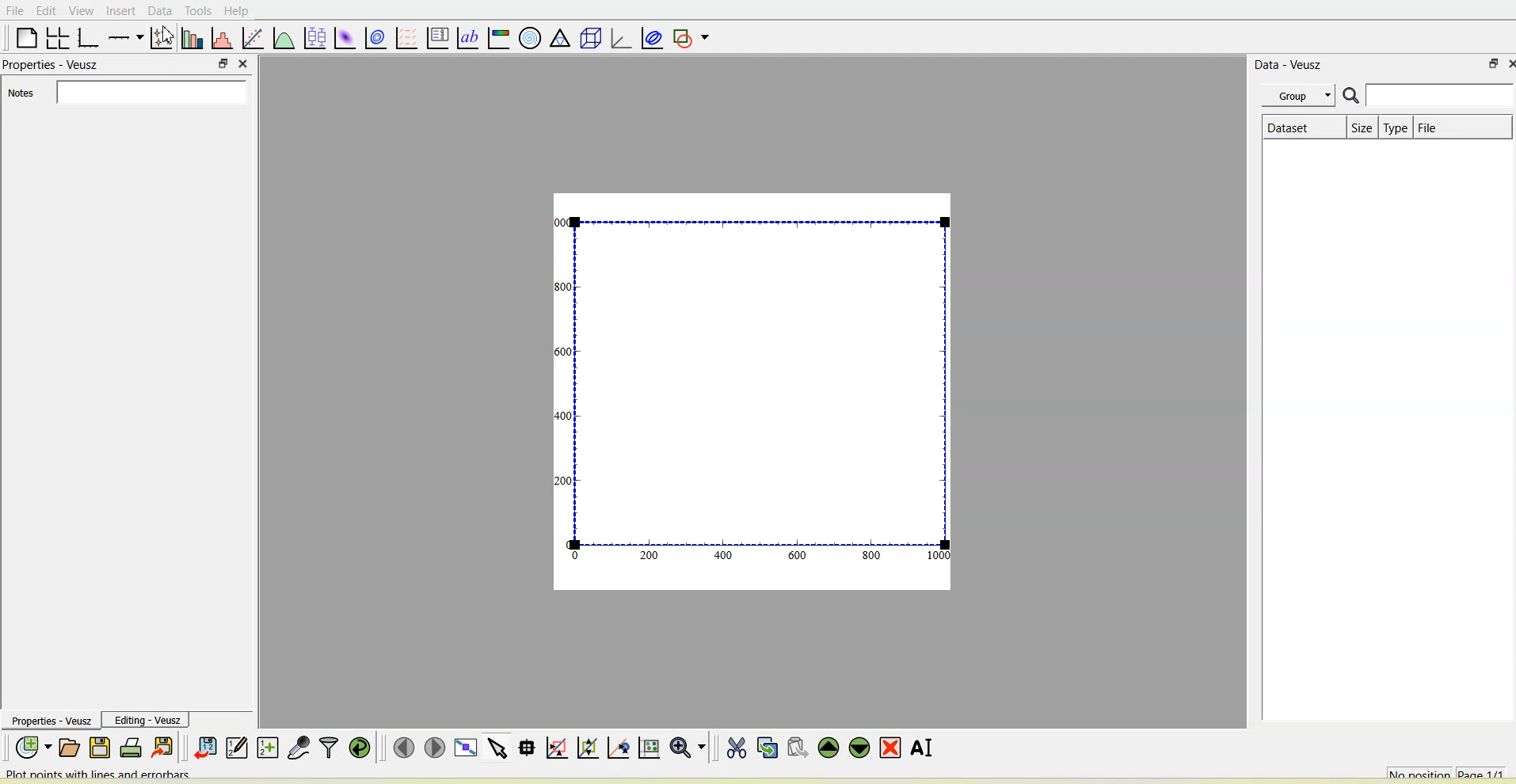  I want to click on Paste widget from the clipboard, so click(798, 748).